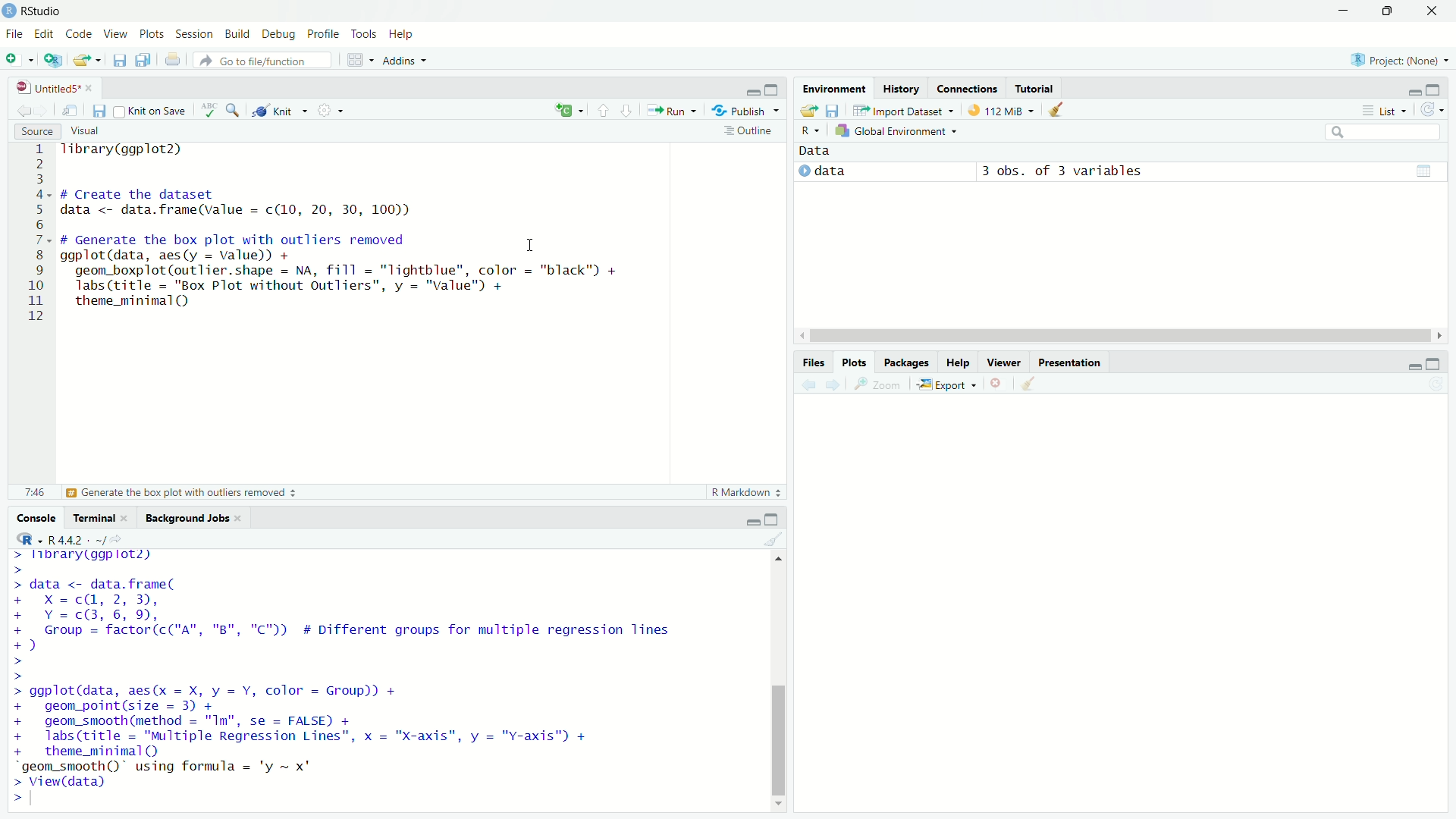 This screenshot has width=1456, height=819. Describe the element at coordinates (1106, 334) in the screenshot. I see `scroll bar` at that location.